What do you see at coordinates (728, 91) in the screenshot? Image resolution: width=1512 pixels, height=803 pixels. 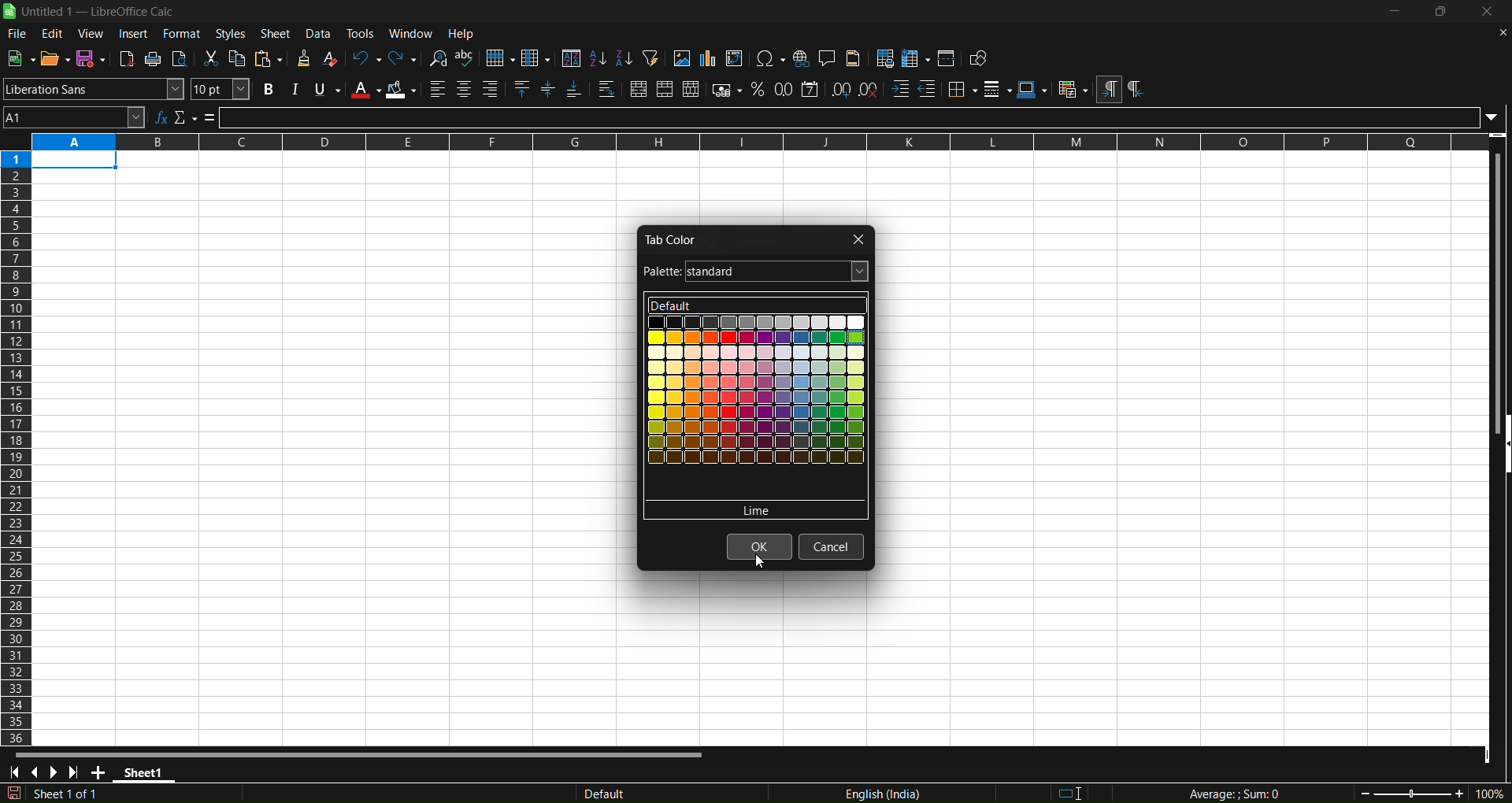 I see `format as currency` at bounding box center [728, 91].